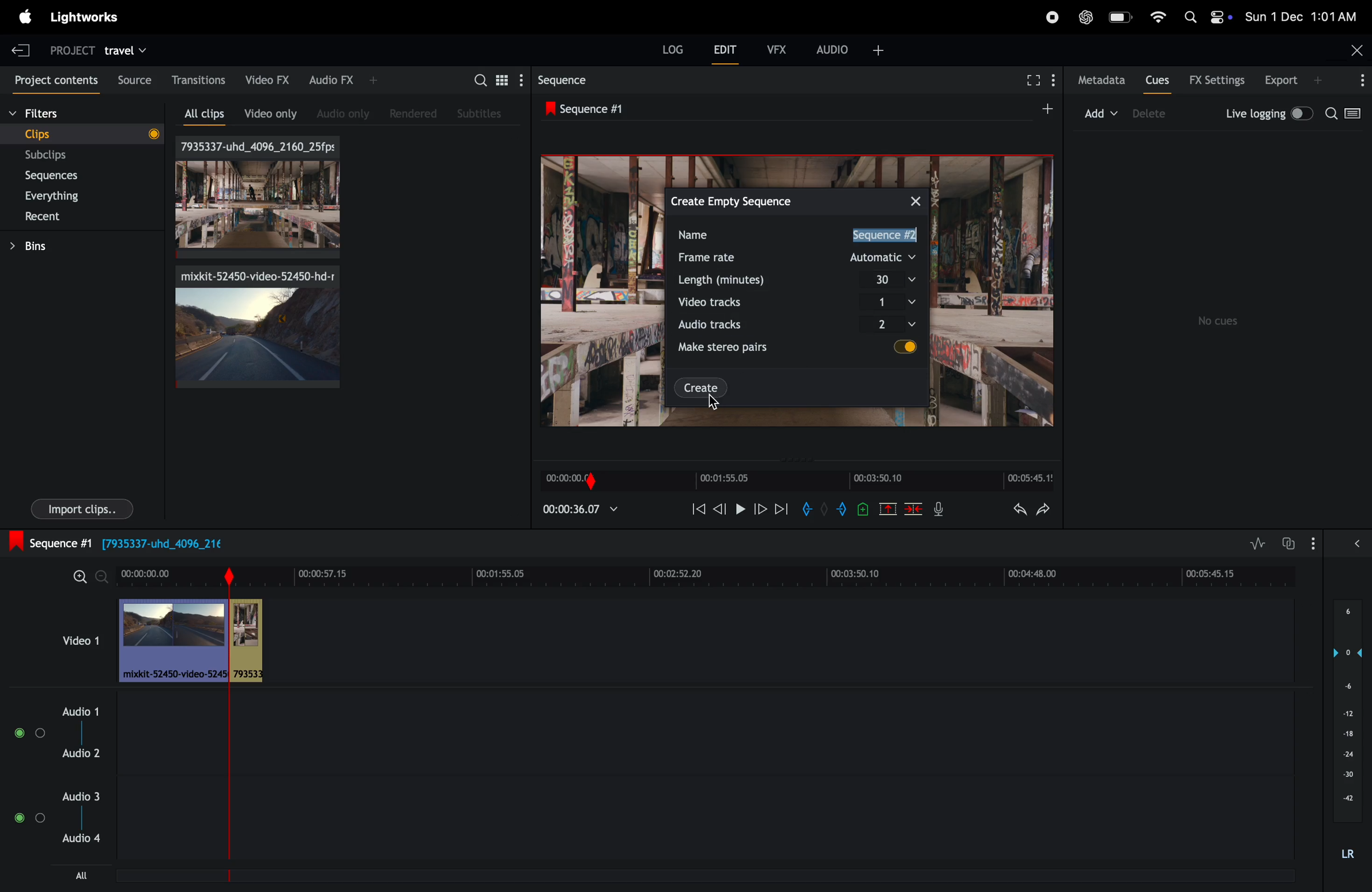  What do you see at coordinates (1045, 108) in the screenshot?
I see `add` at bounding box center [1045, 108].